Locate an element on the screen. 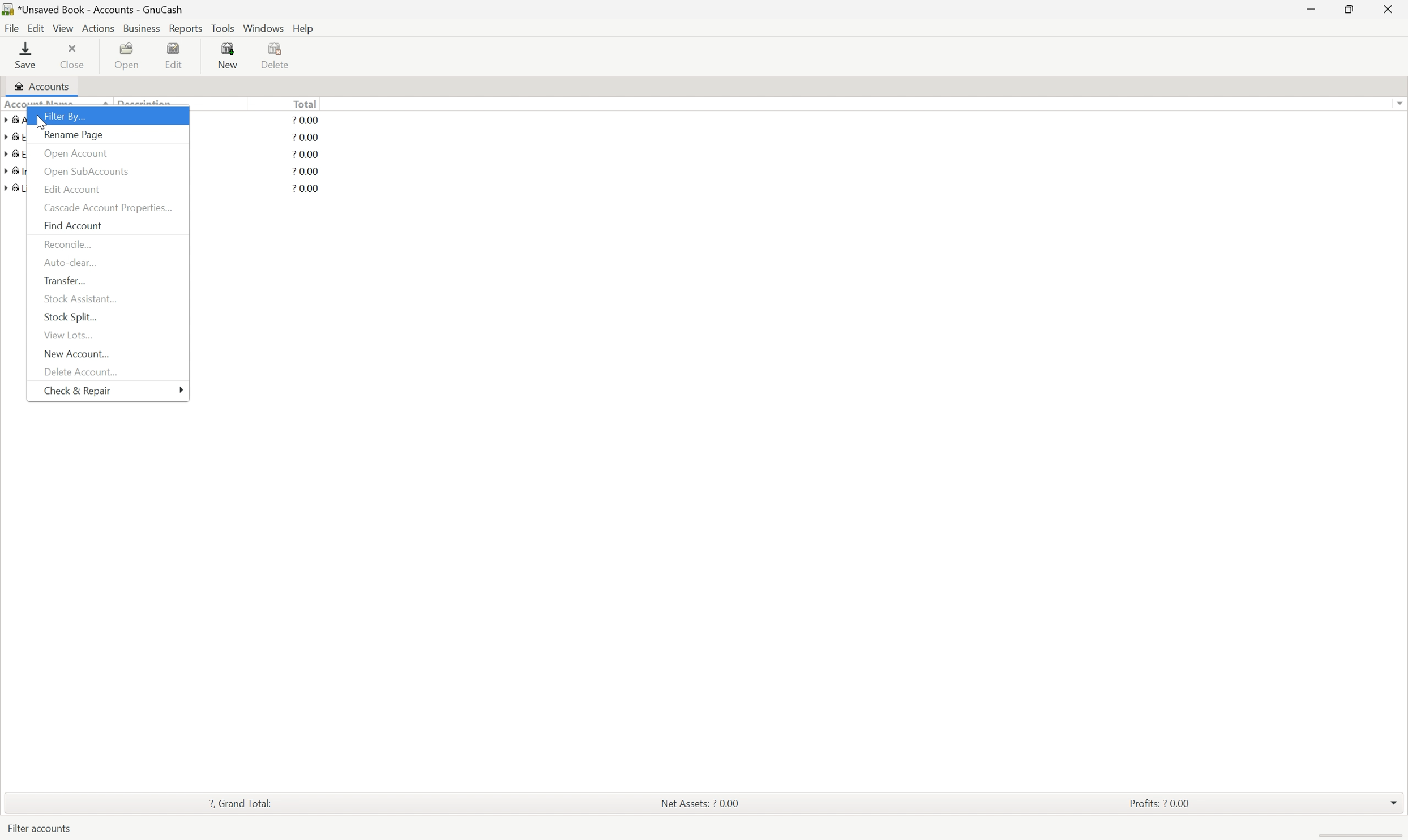 Image resolution: width=1408 pixels, height=840 pixels. Rename page is located at coordinates (73, 136).